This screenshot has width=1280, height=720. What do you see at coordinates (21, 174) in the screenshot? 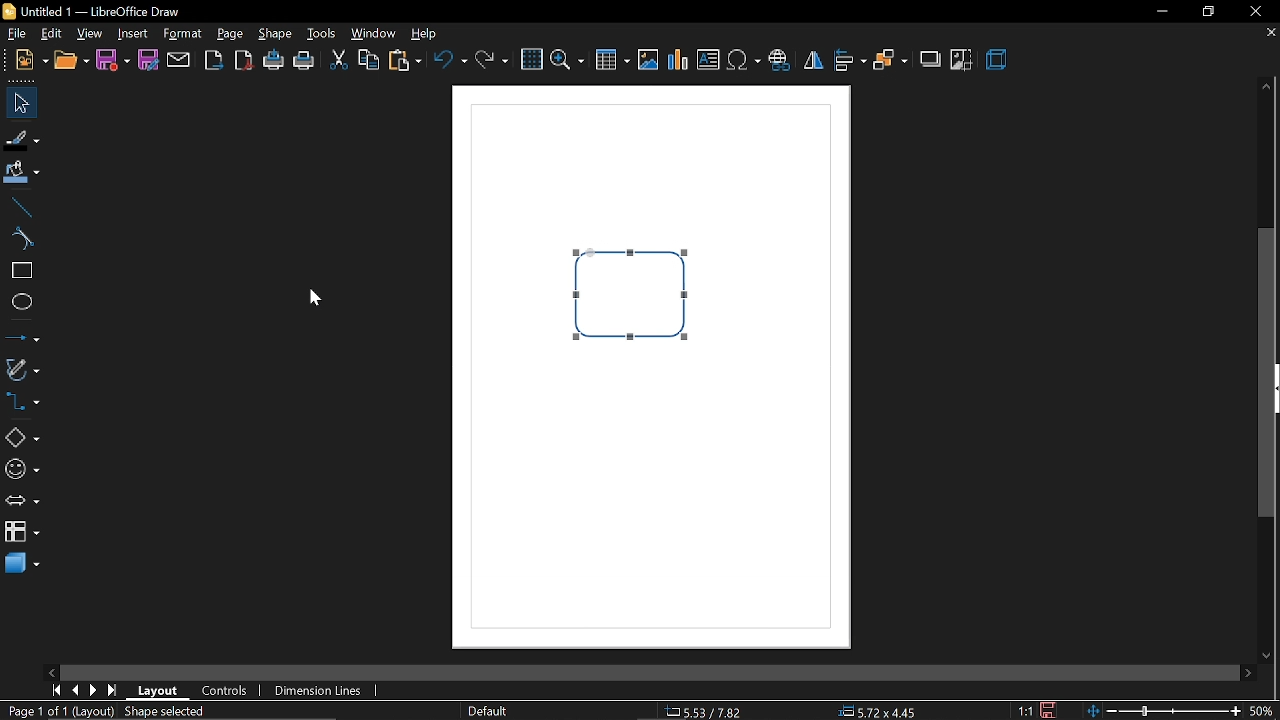
I see `fill color` at bounding box center [21, 174].